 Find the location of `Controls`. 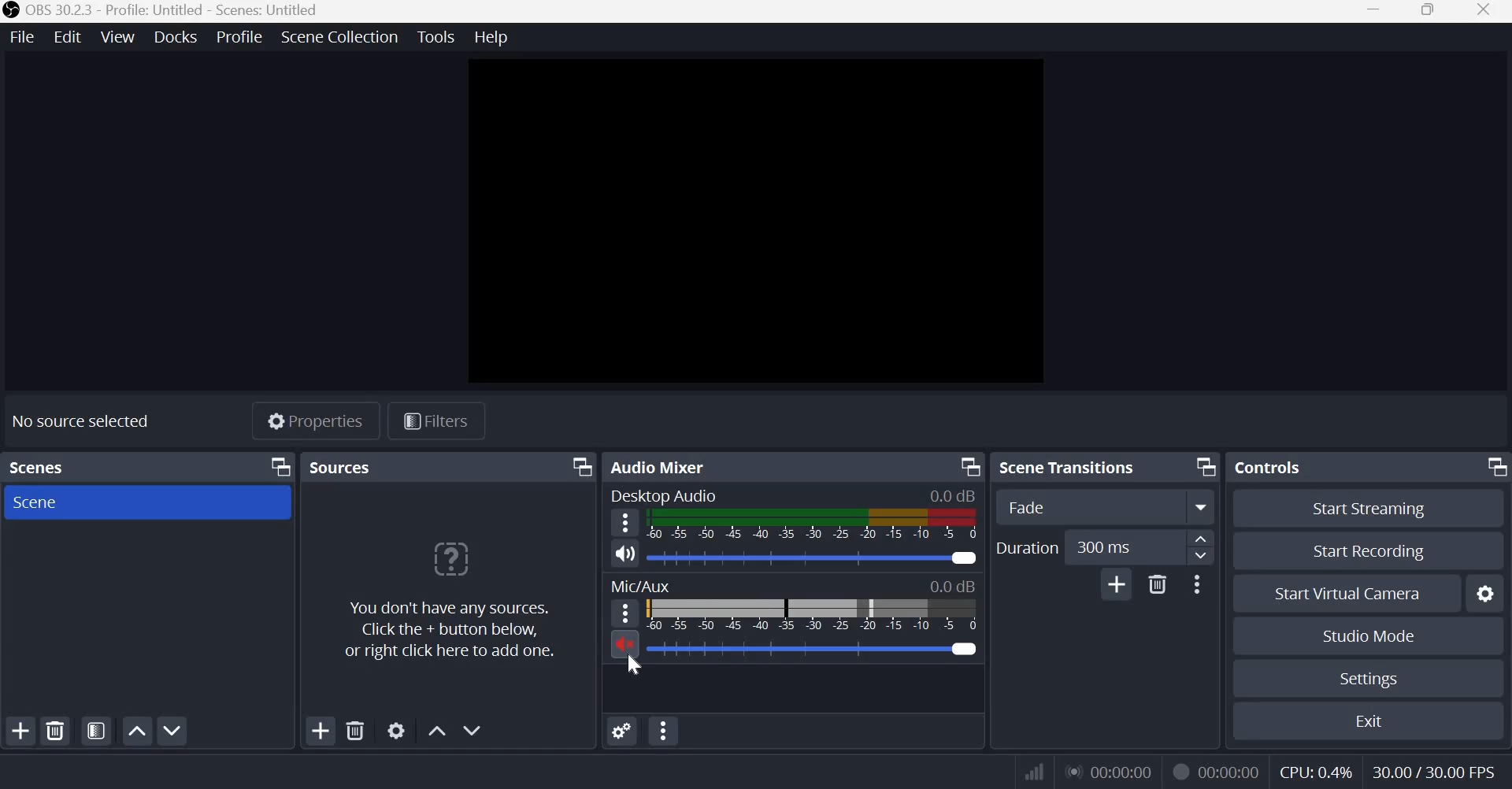

Controls is located at coordinates (1265, 467).